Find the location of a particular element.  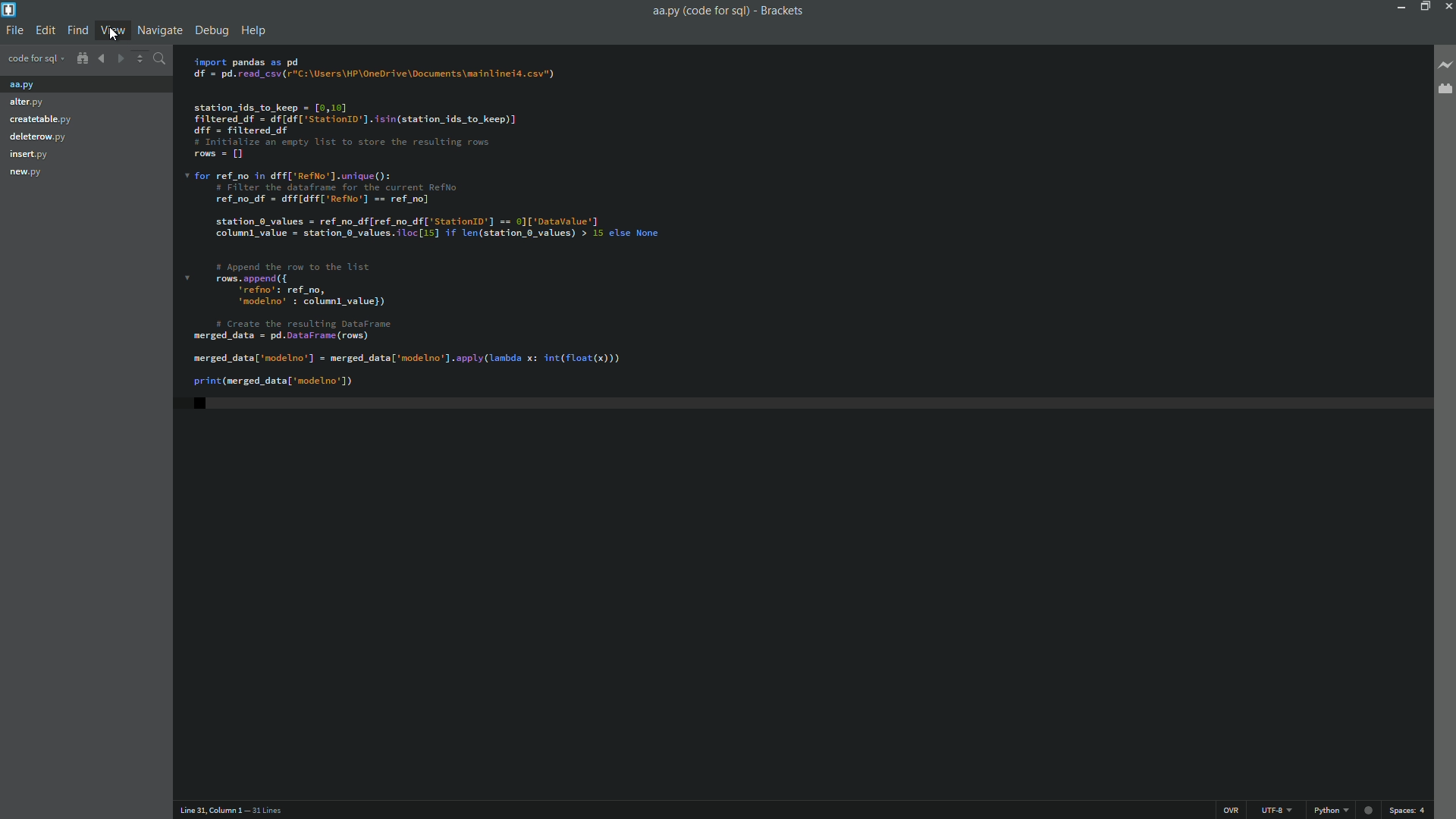

number of lines is located at coordinates (267, 811).